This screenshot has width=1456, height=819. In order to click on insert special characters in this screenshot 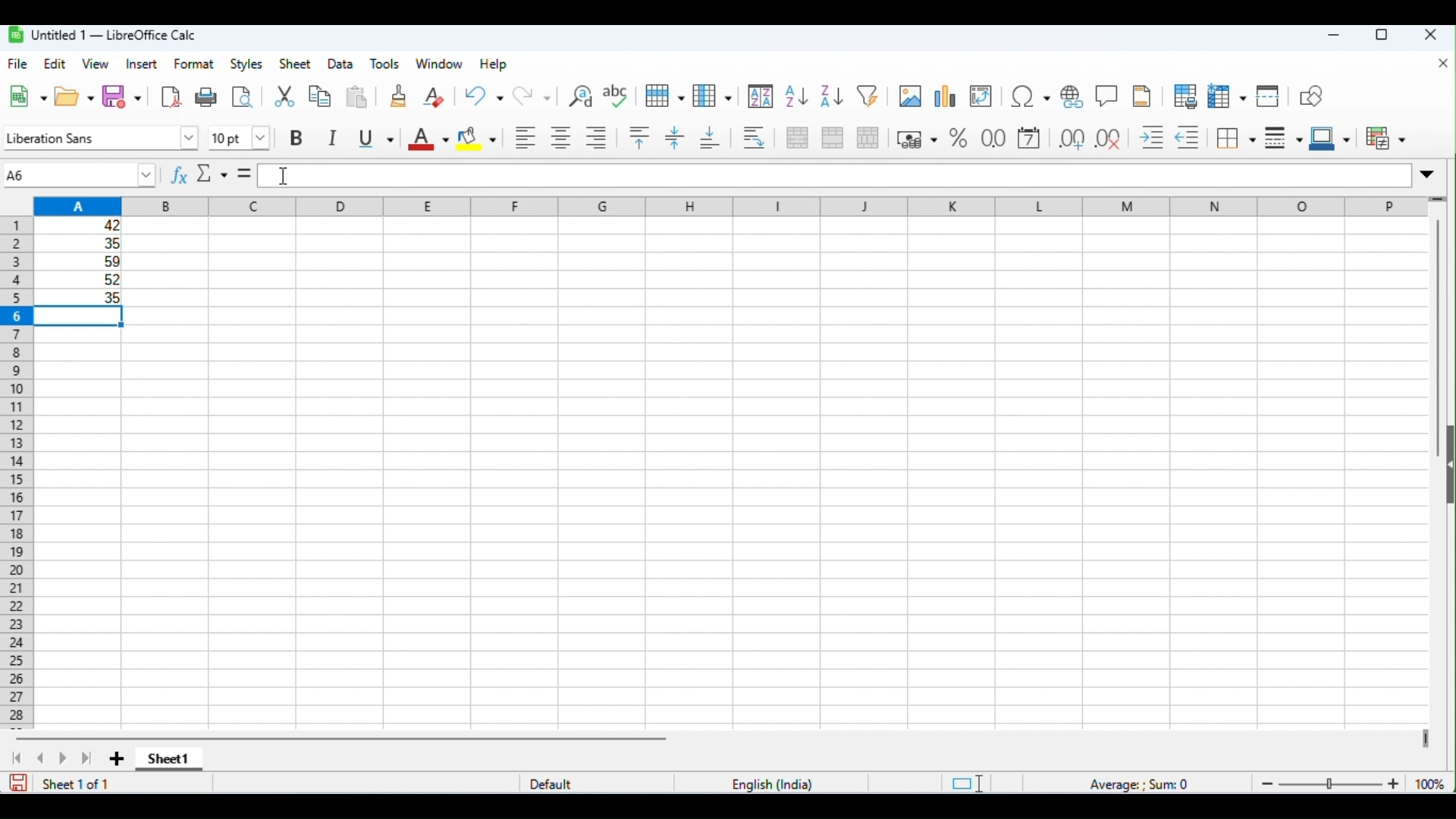, I will do `click(1030, 96)`.